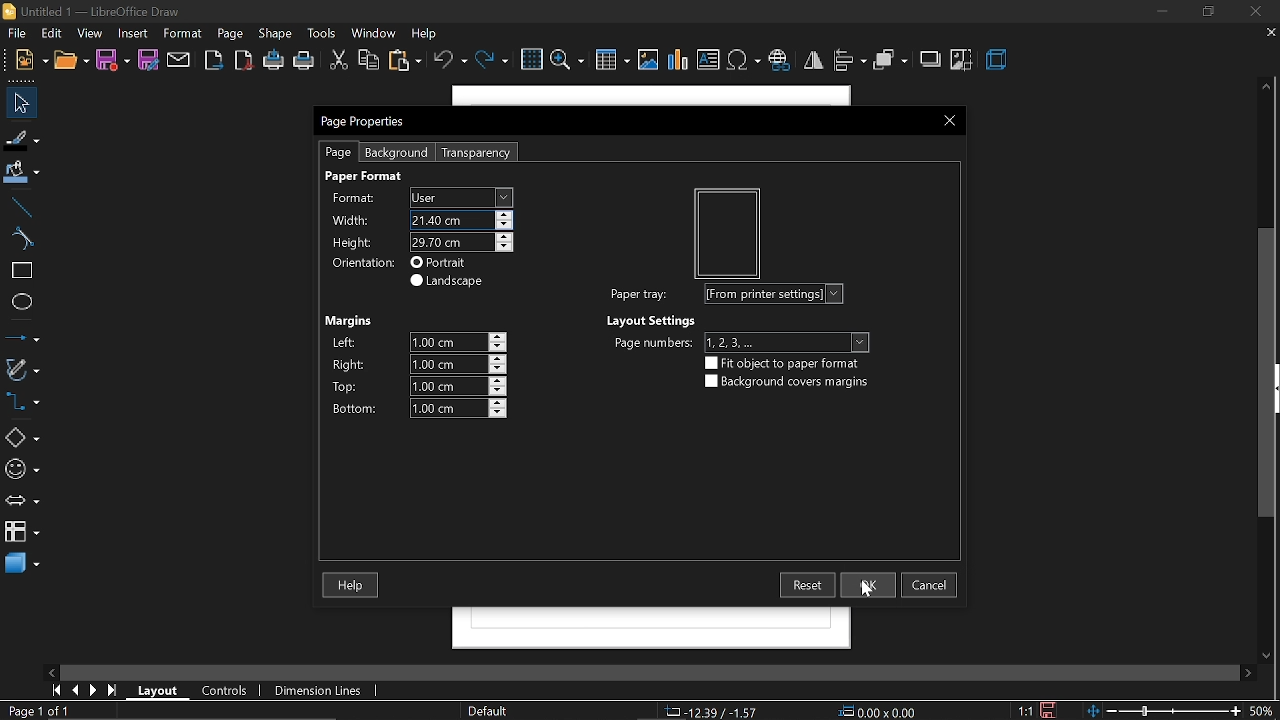 Image resolution: width=1280 pixels, height=720 pixels. I want to click on go to first page, so click(55, 690).